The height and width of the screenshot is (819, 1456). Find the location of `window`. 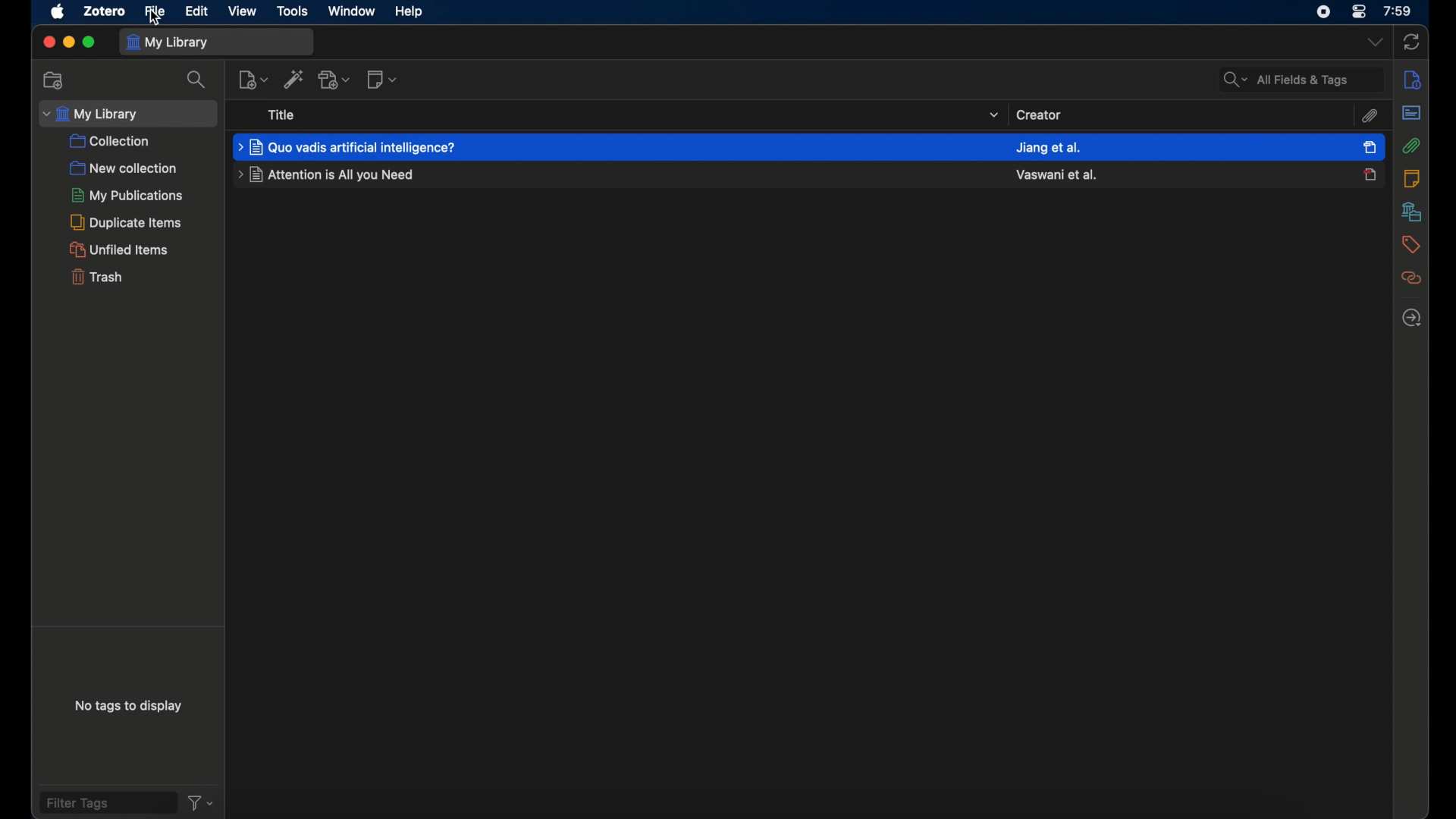

window is located at coordinates (350, 11).